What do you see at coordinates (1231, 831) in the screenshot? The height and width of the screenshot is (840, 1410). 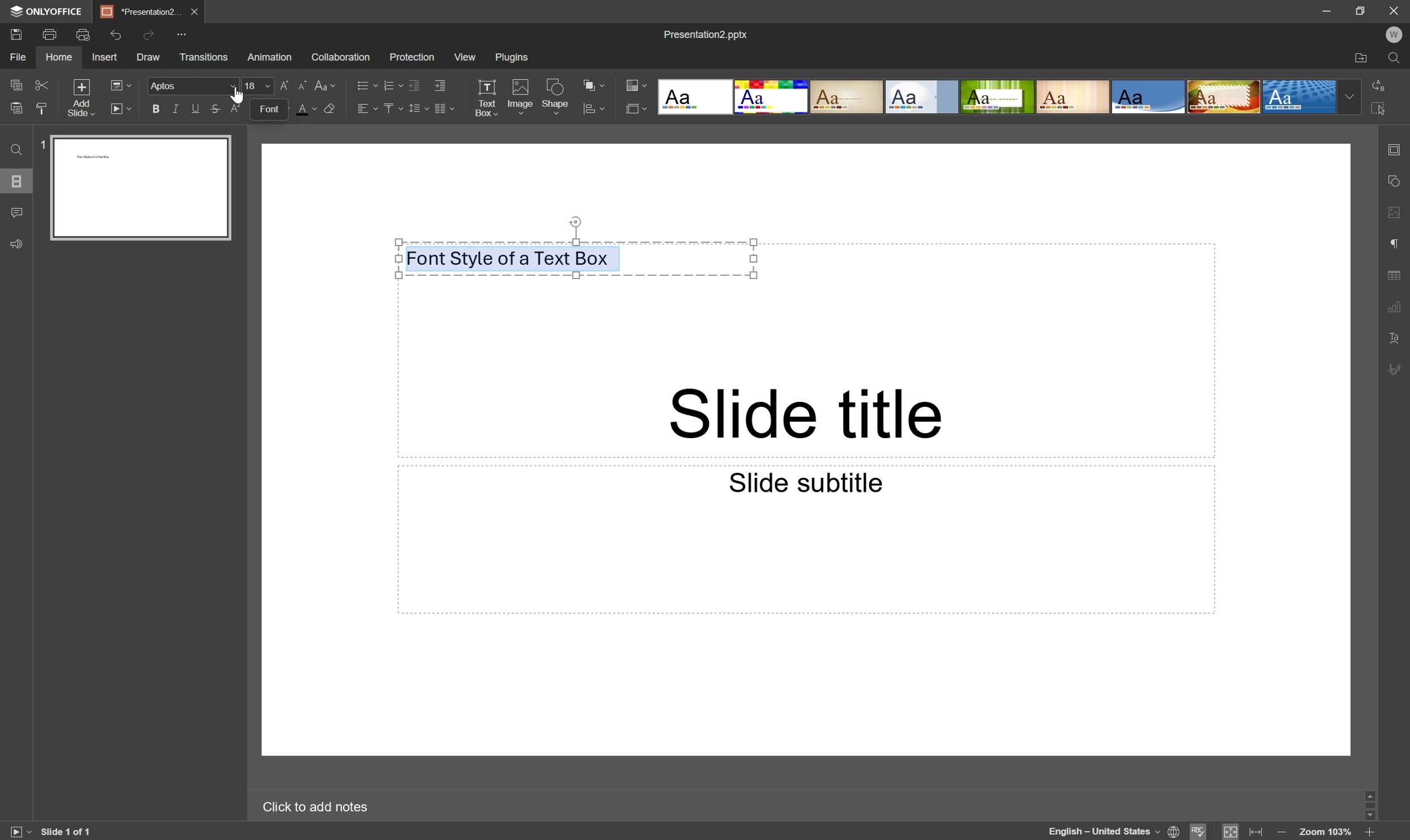 I see `Fit to slide` at bounding box center [1231, 831].